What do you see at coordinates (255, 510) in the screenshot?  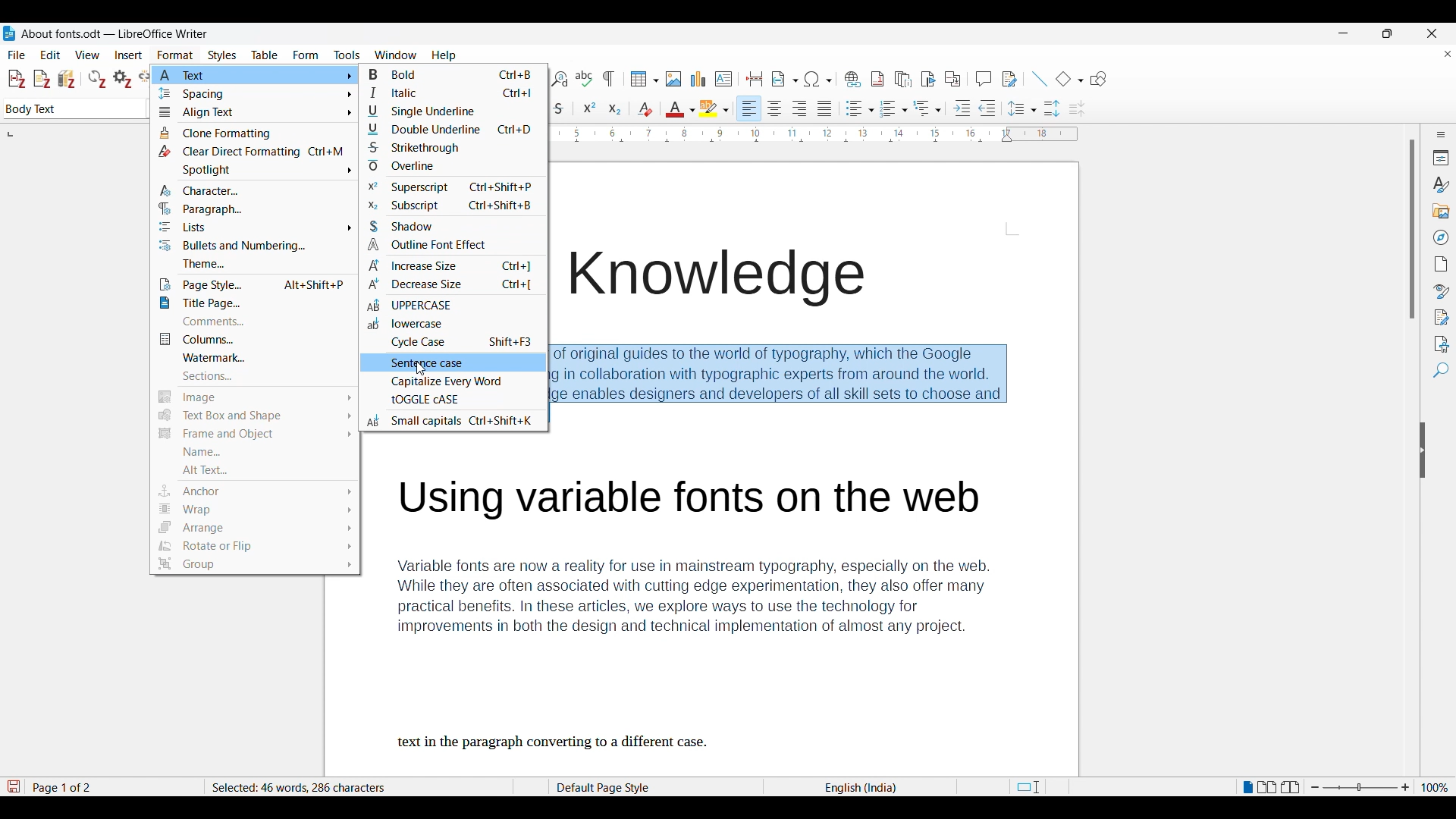 I see `Wrap` at bounding box center [255, 510].